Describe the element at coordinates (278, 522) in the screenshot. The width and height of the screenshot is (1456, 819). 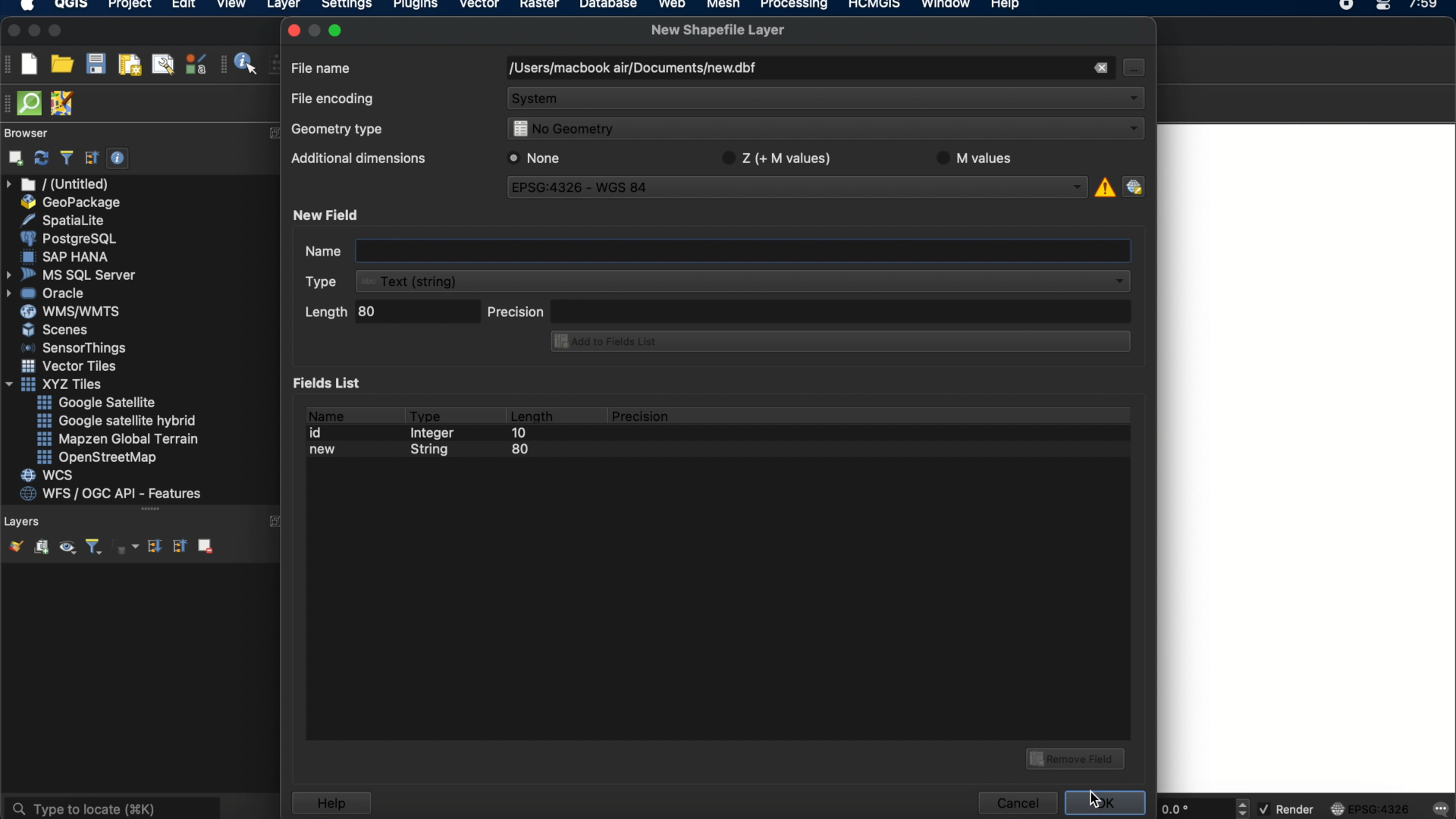
I see `expand` at that location.